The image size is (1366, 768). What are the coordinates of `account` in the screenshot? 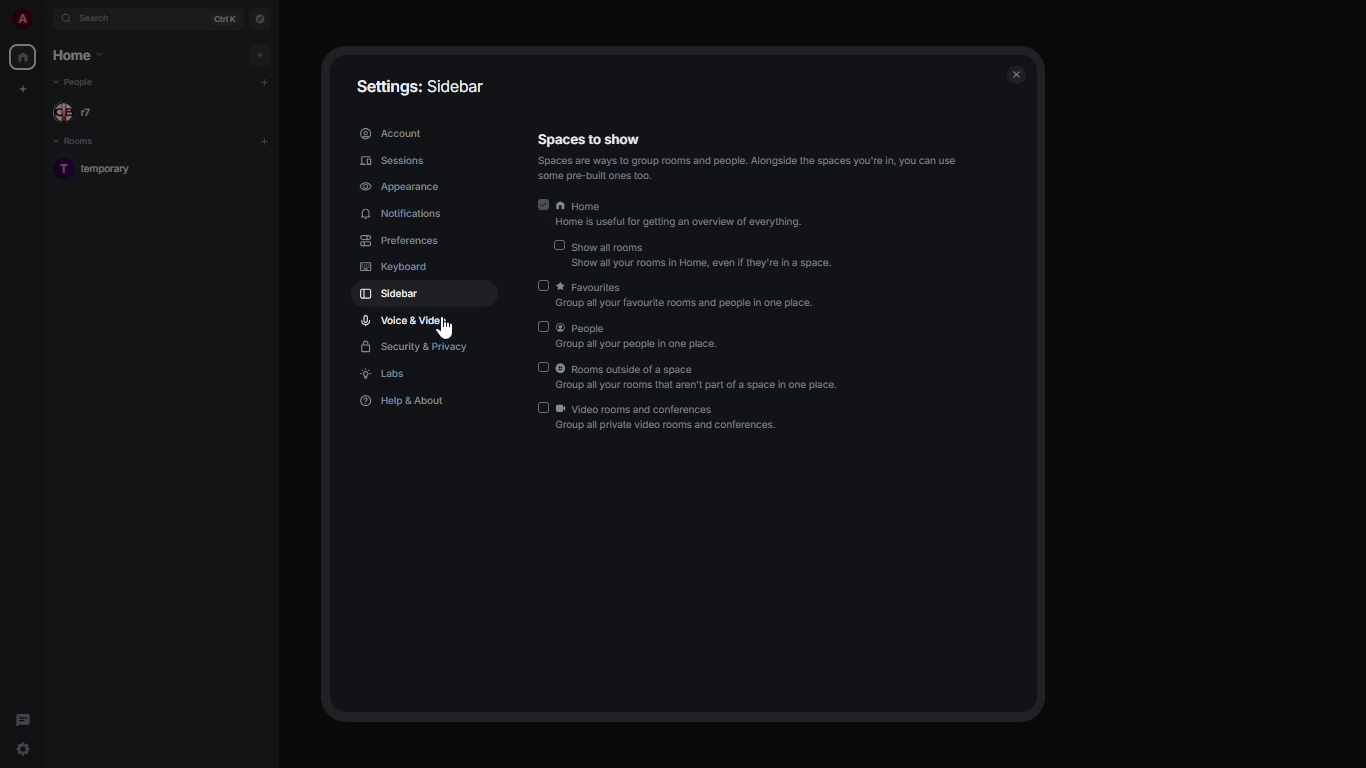 It's located at (392, 135).